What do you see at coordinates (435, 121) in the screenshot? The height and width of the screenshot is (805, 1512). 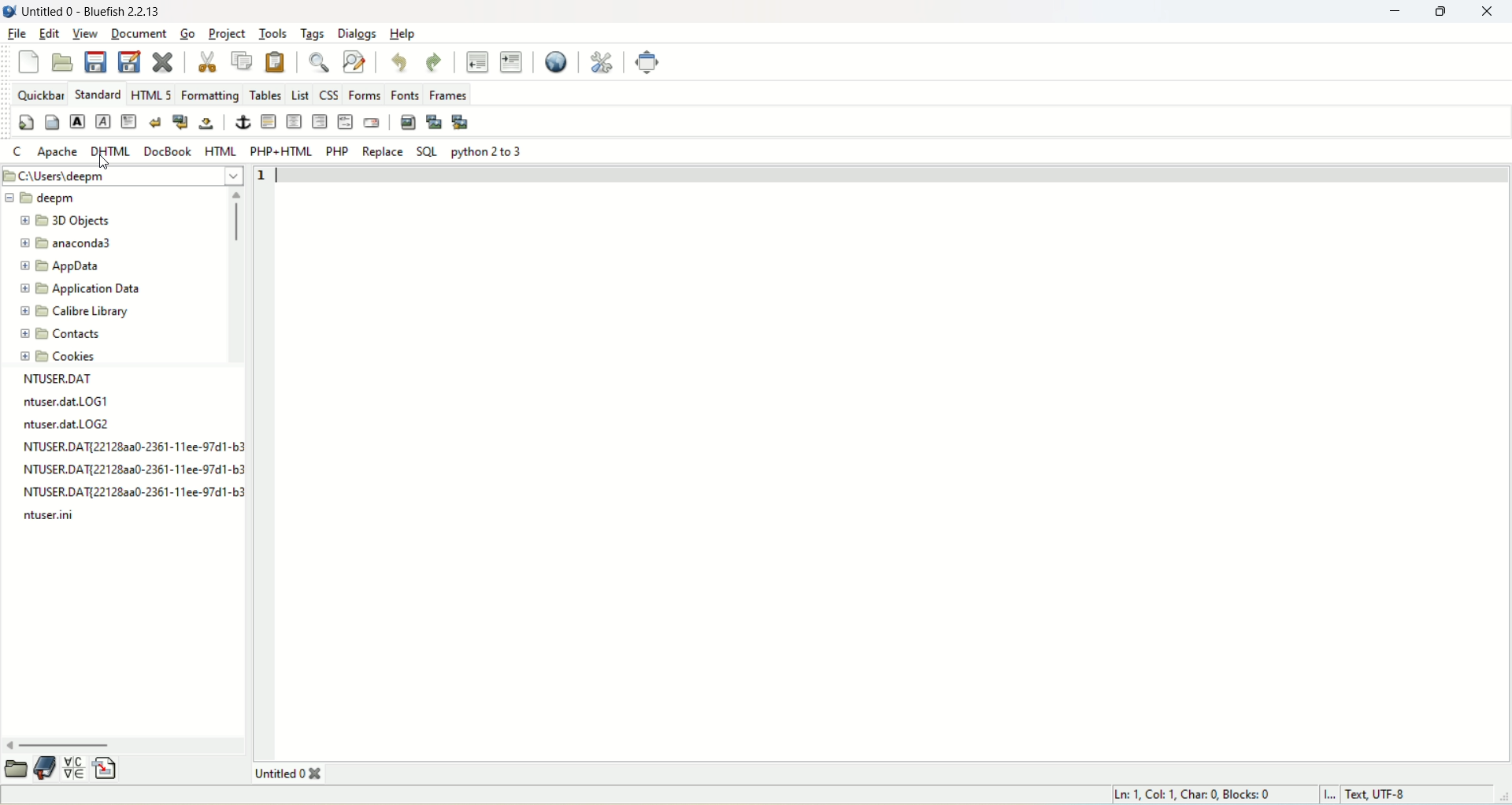 I see `insert thumbnail` at bounding box center [435, 121].